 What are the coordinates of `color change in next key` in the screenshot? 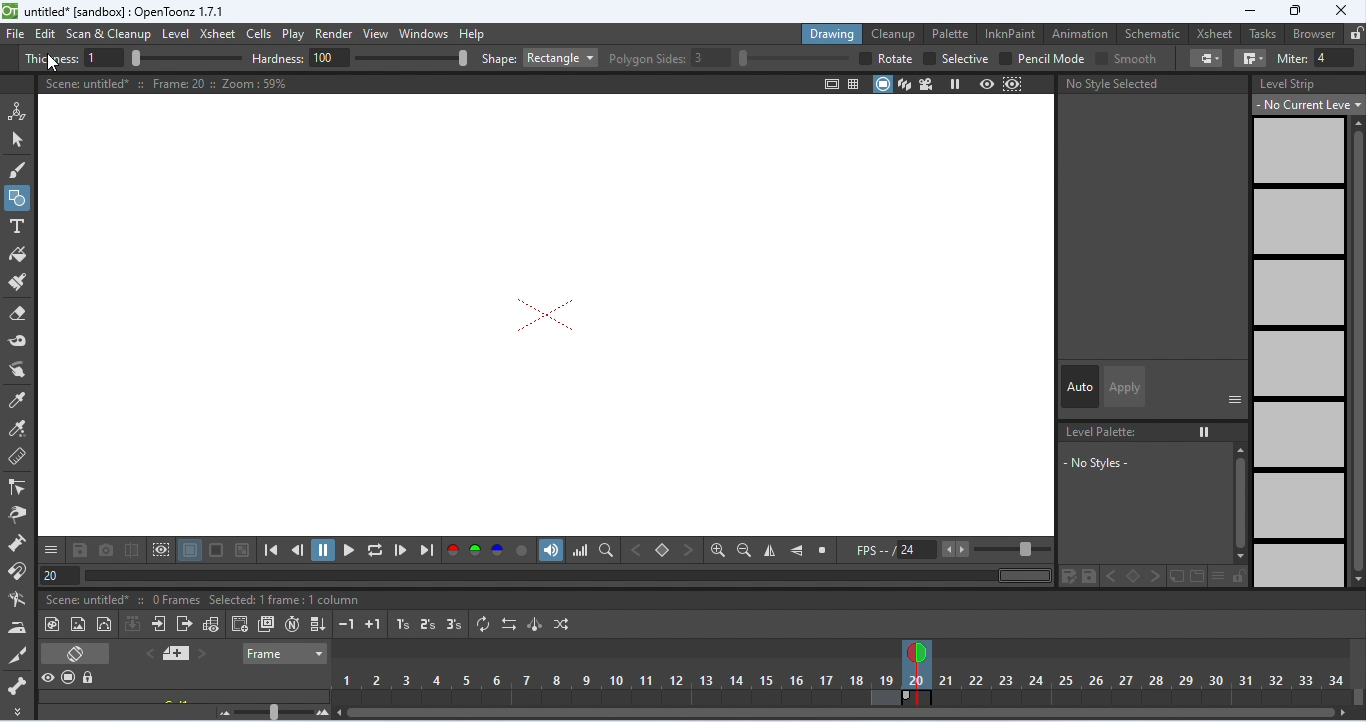 It's located at (1154, 576).